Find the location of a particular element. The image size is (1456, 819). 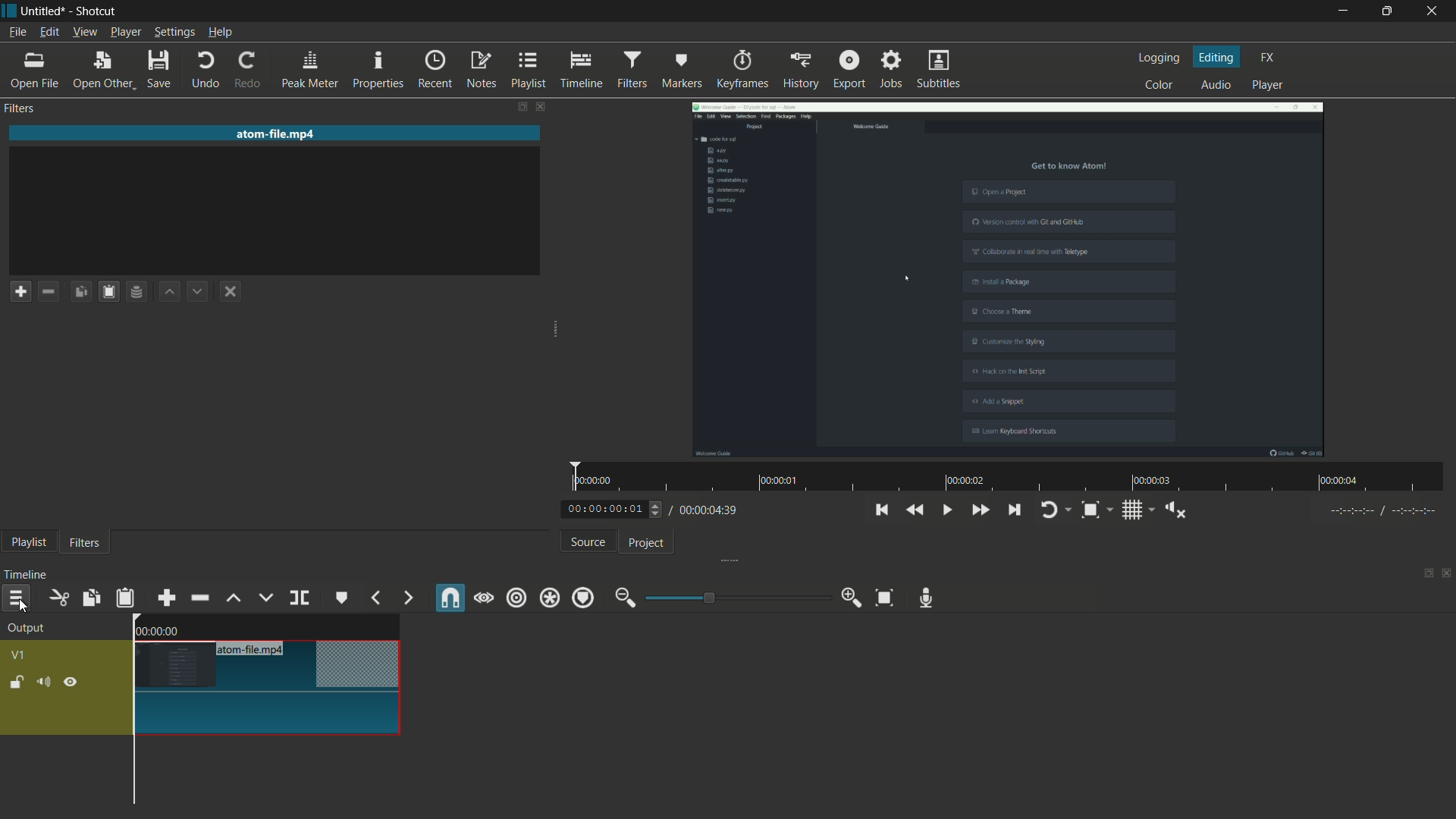

add a filter is located at coordinates (20, 291).